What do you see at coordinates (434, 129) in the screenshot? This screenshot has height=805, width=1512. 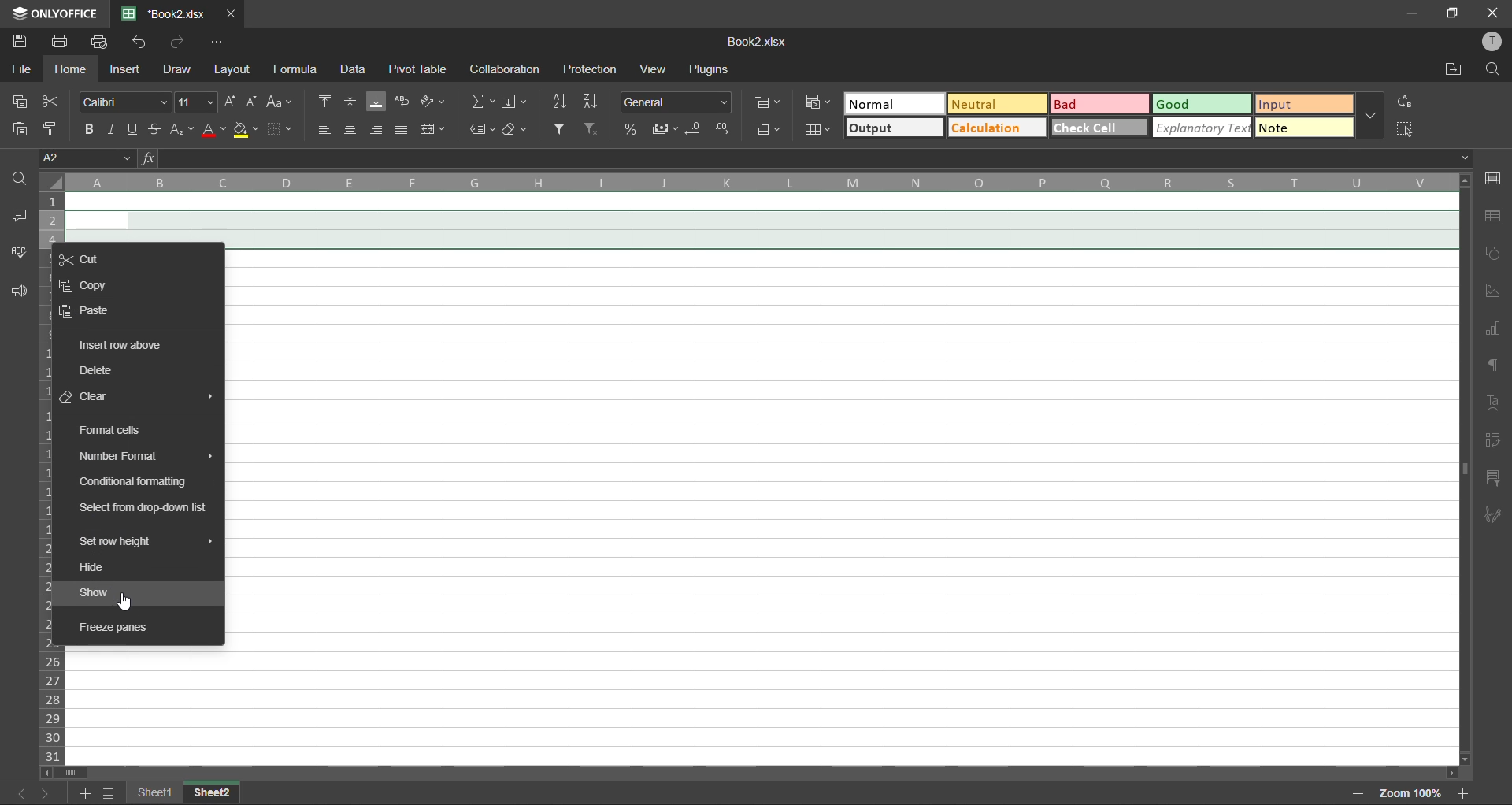 I see `merge and center` at bounding box center [434, 129].